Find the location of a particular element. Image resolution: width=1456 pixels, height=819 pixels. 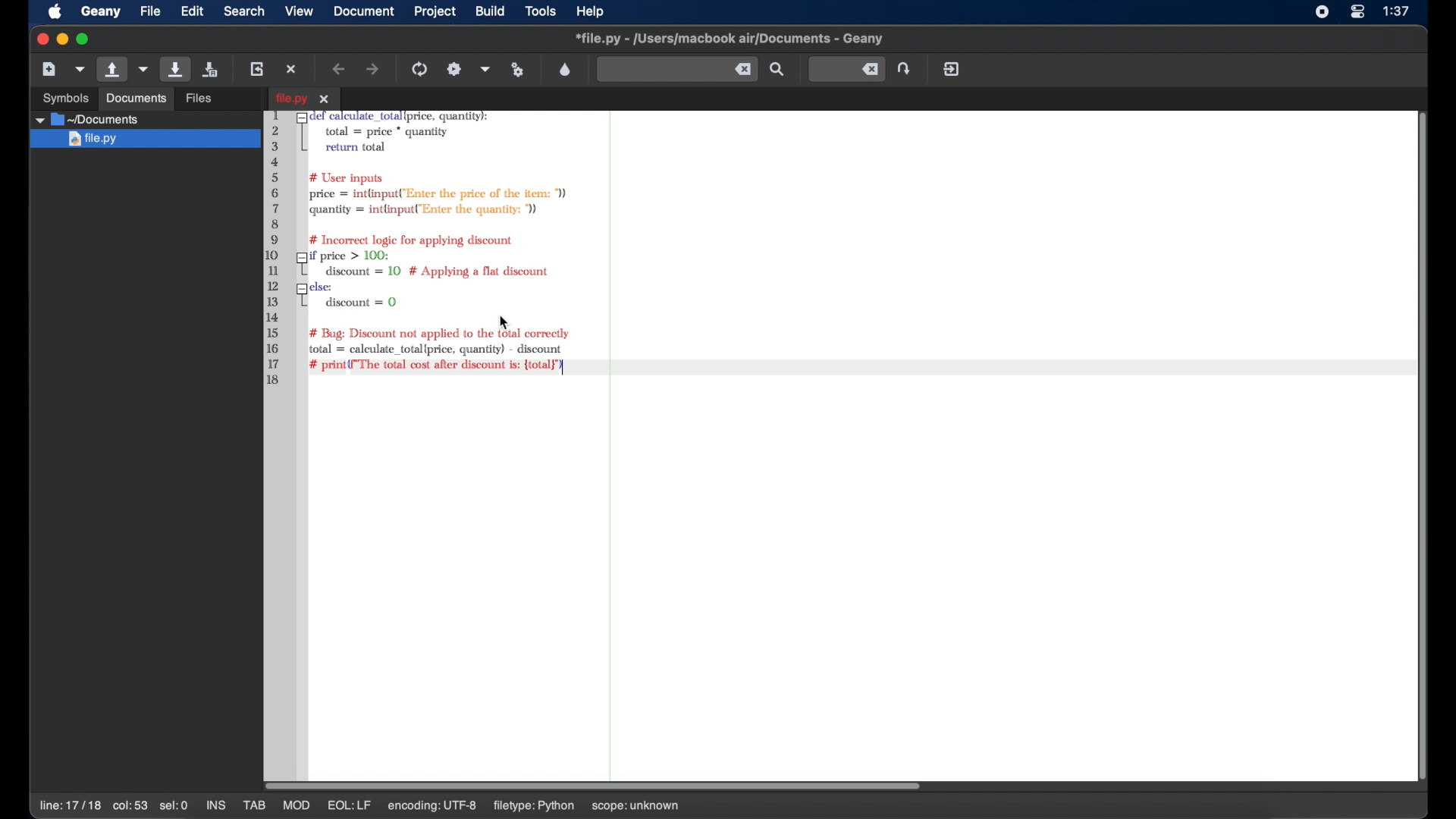

choose more build actions is located at coordinates (485, 69).